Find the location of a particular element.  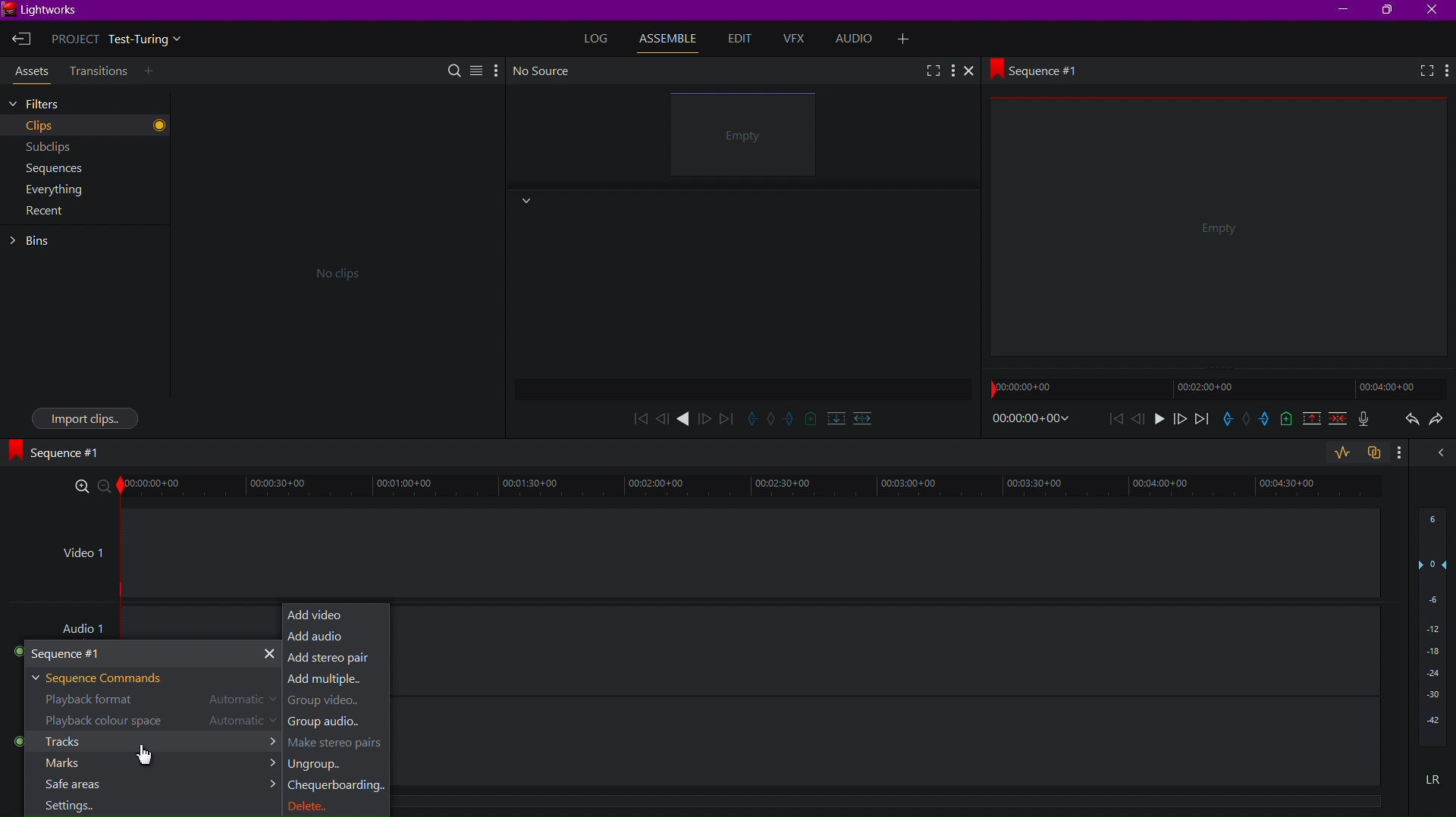

Video 1 is located at coordinates (80, 557).